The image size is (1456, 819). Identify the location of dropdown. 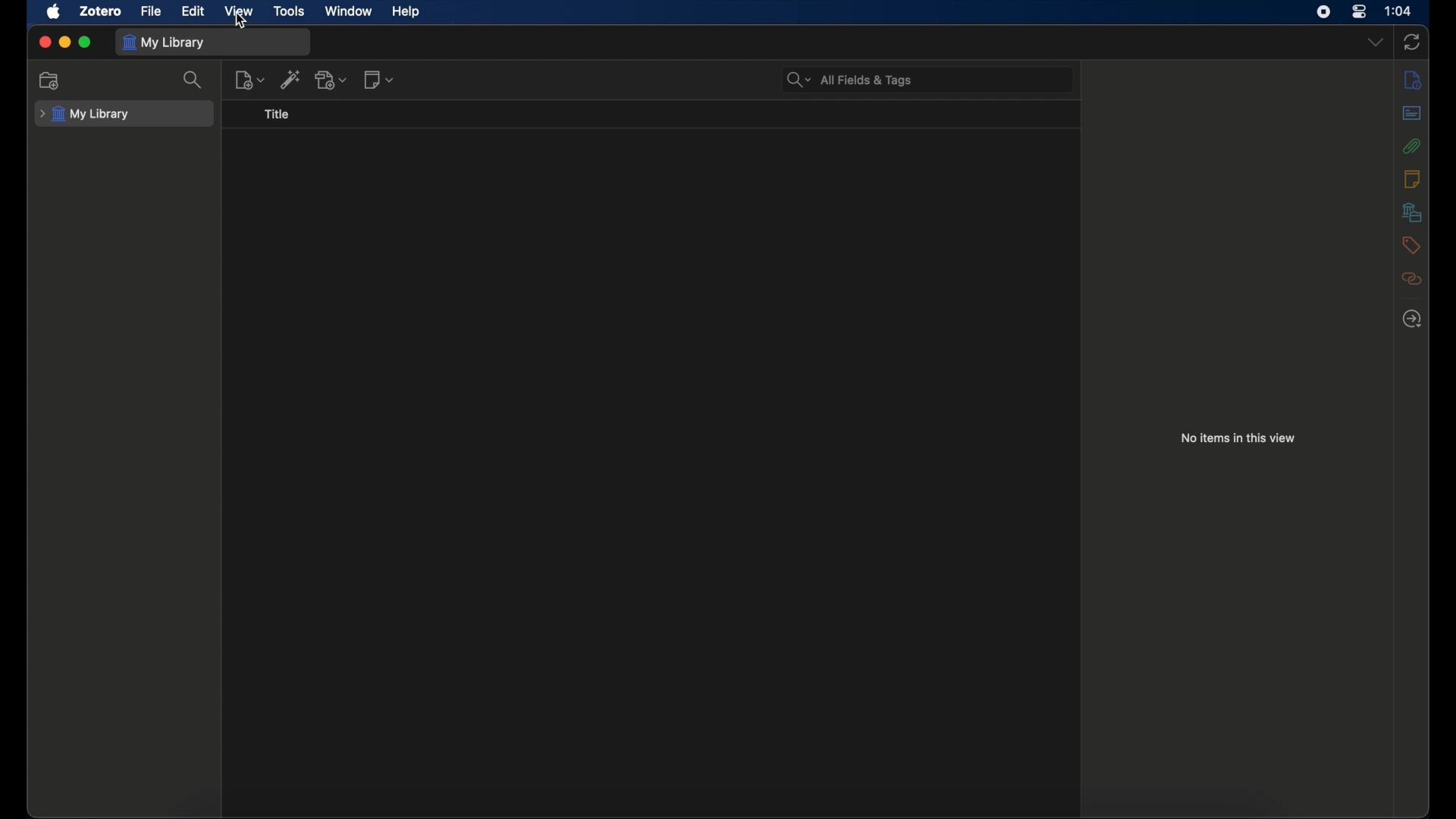
(1375, 42).